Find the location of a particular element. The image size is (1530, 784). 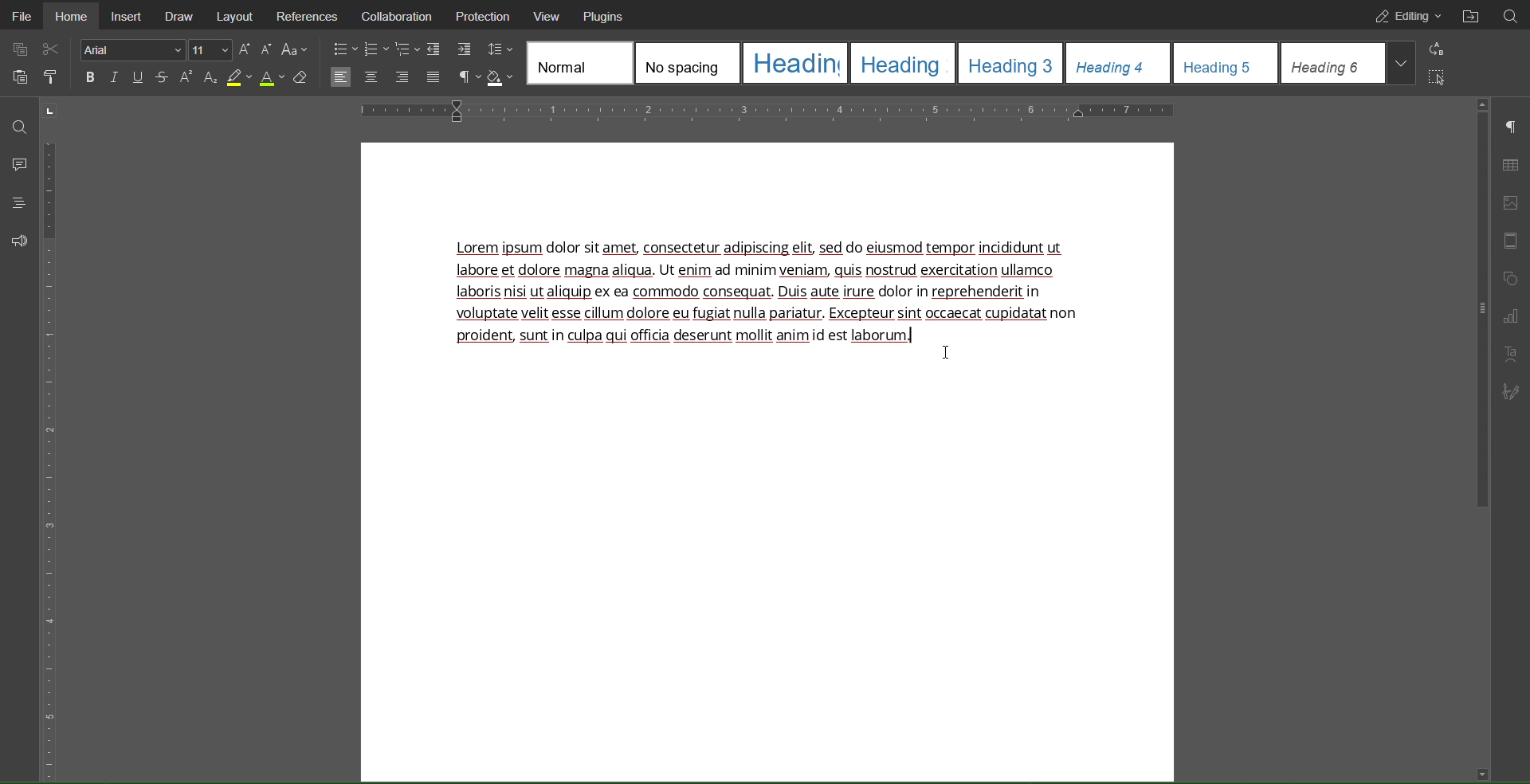

slider is located at coordinates (1475, 312).